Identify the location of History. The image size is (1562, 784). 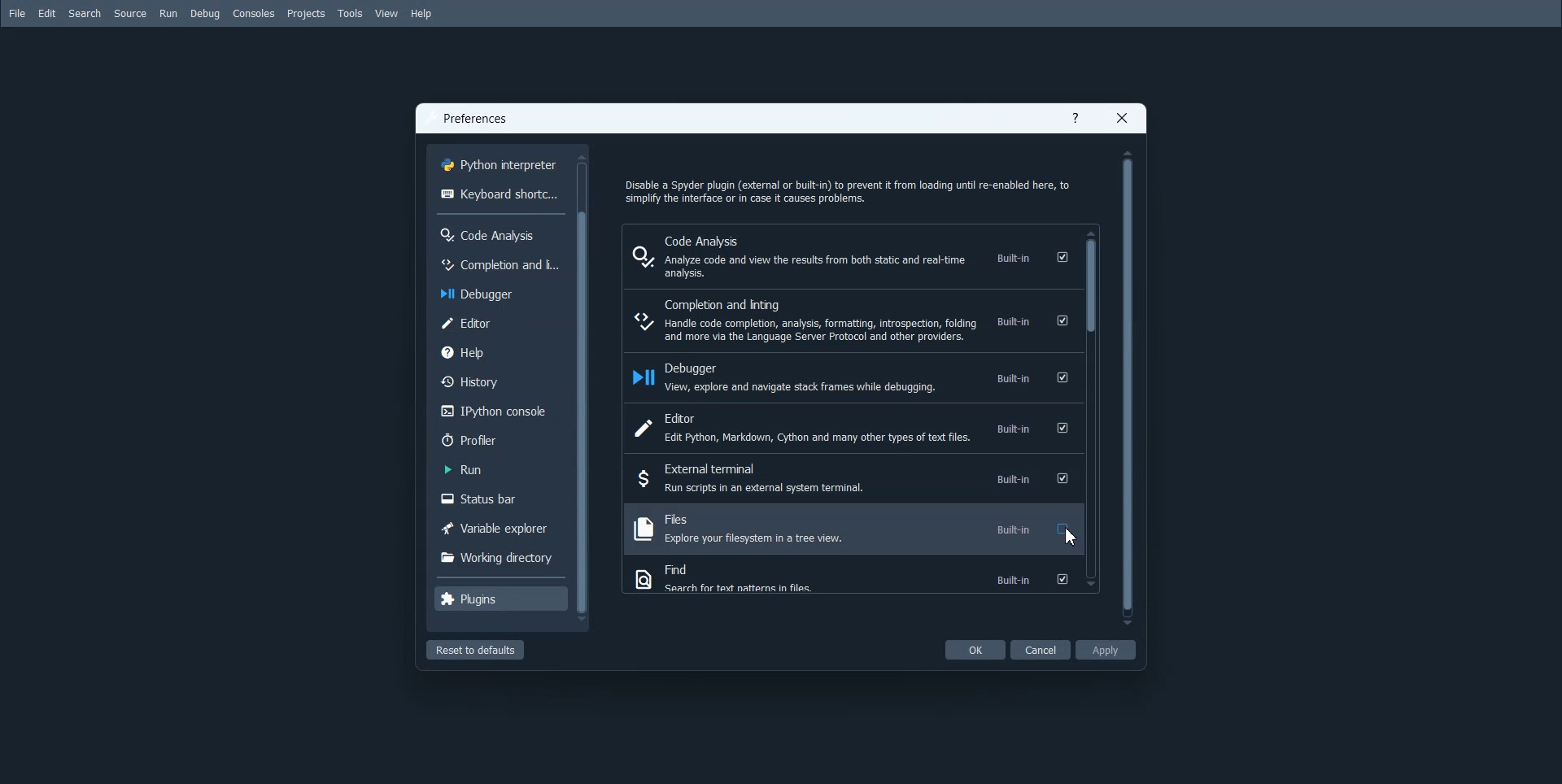
(500, 381).